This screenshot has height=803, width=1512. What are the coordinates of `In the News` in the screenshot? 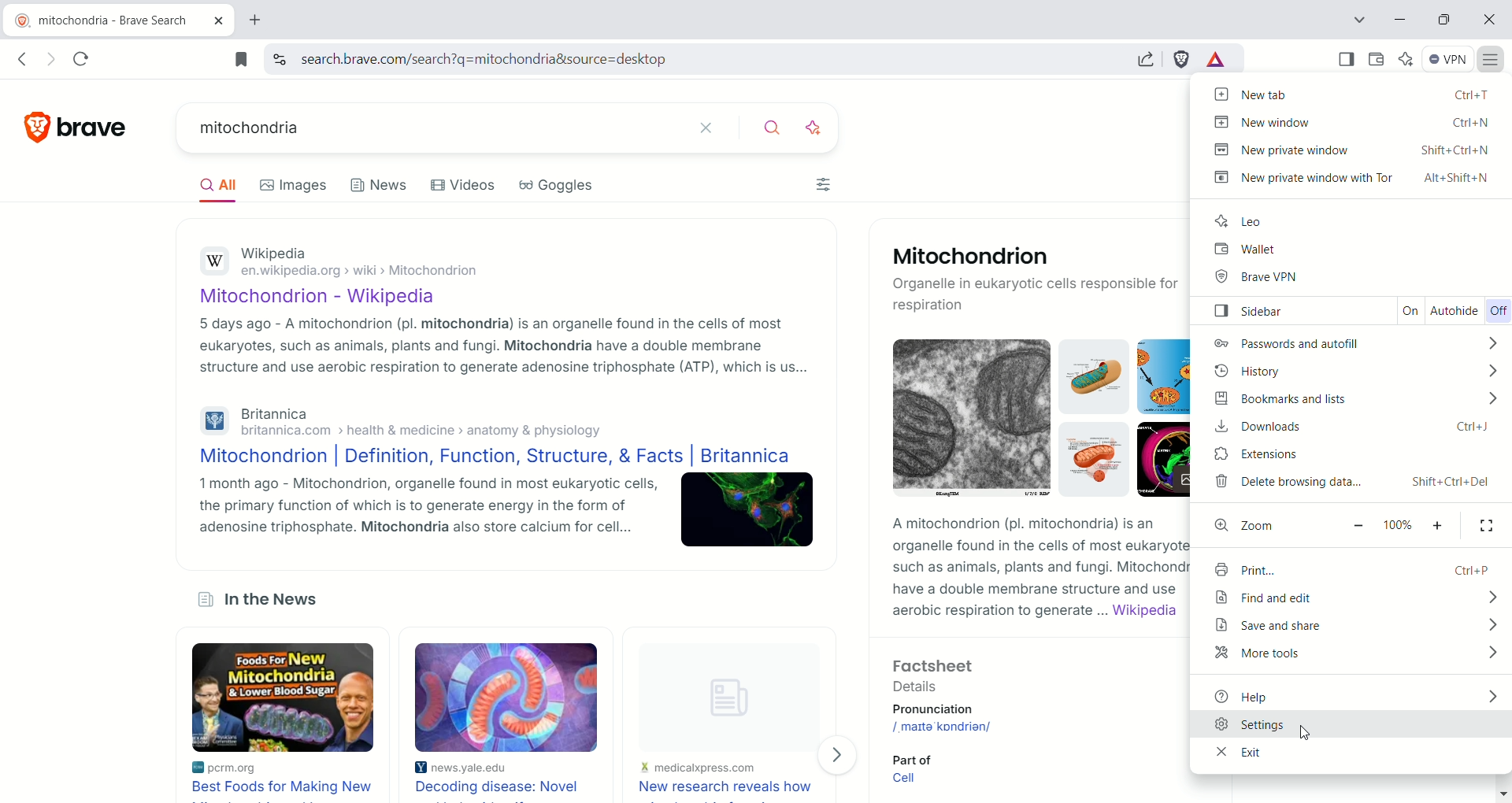 It's located at (260, 599).